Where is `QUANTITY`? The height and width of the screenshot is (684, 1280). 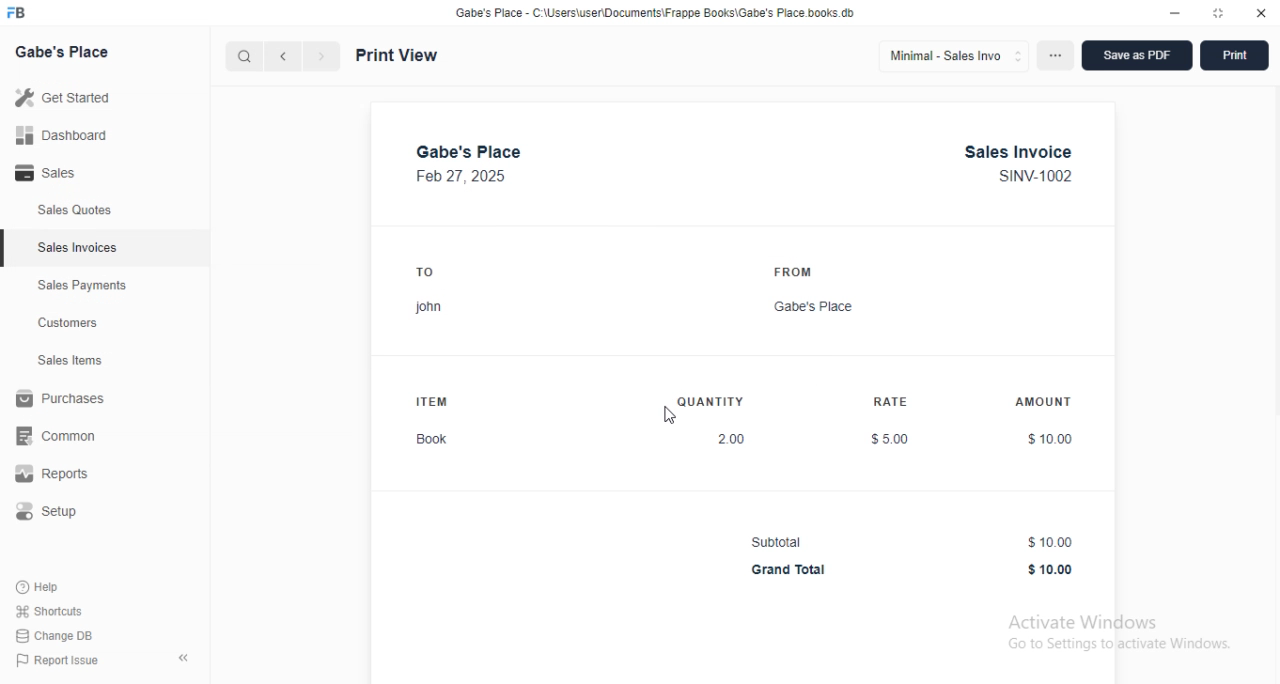
QUANTITY is located at coordinates (711, 402).